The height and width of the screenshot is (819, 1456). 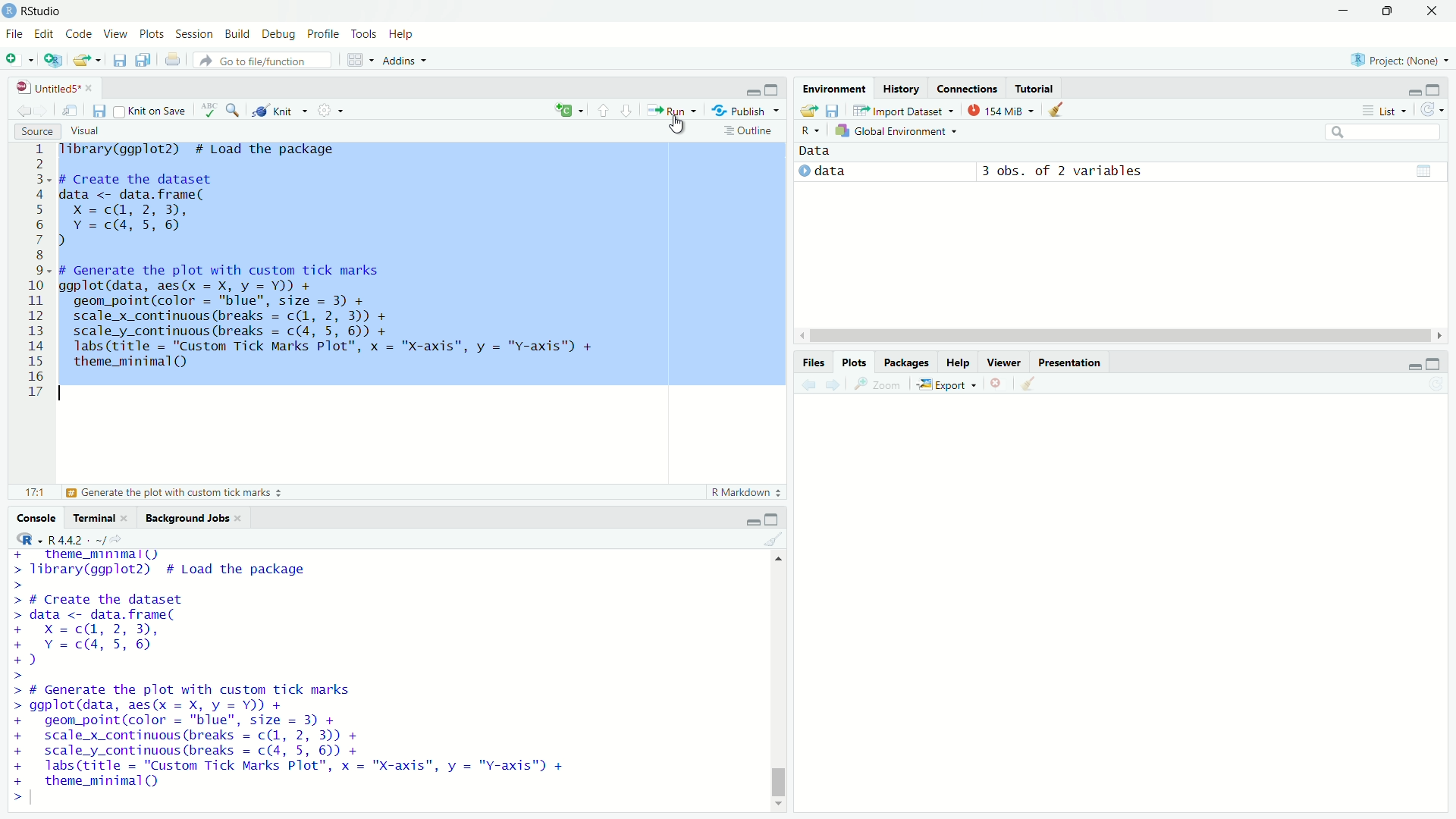 I want to click on help, so click(x=404, y=33).